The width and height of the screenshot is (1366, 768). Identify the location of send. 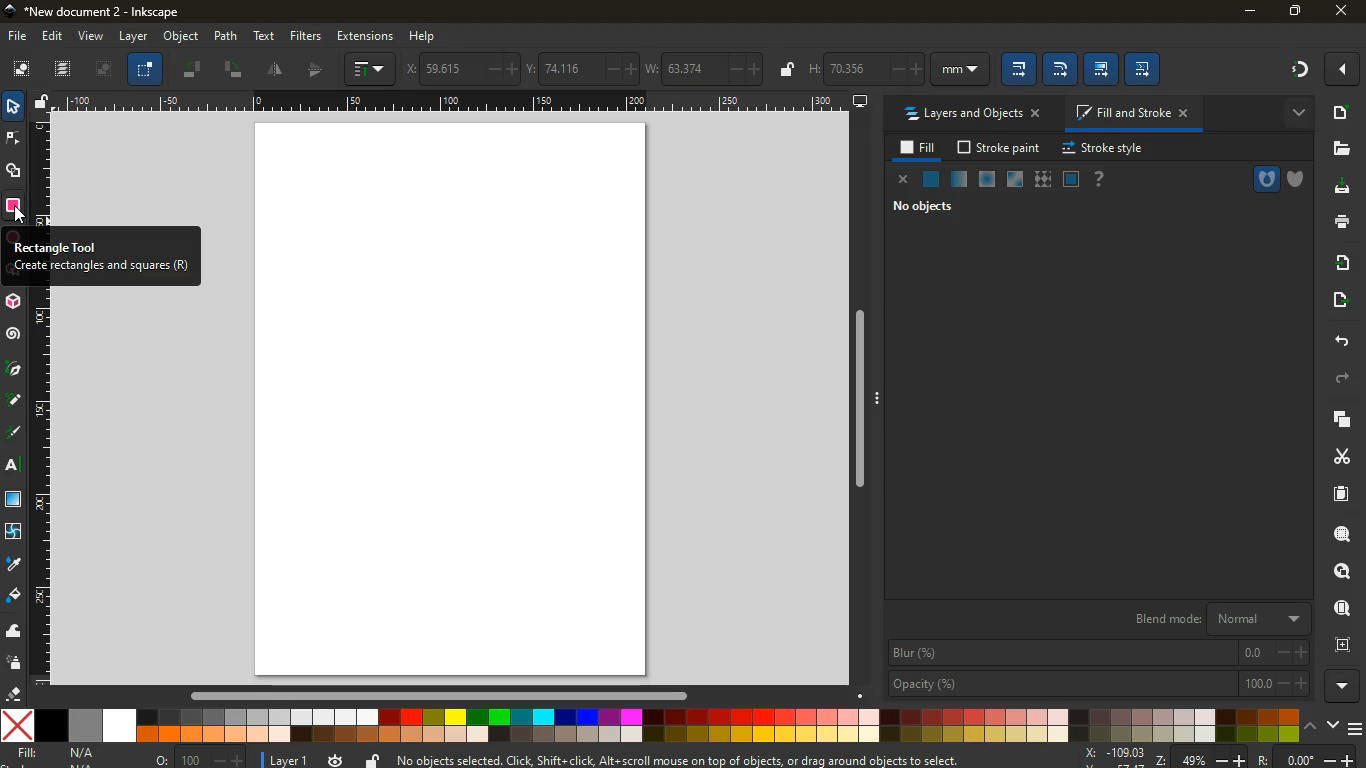
(1336, 301).